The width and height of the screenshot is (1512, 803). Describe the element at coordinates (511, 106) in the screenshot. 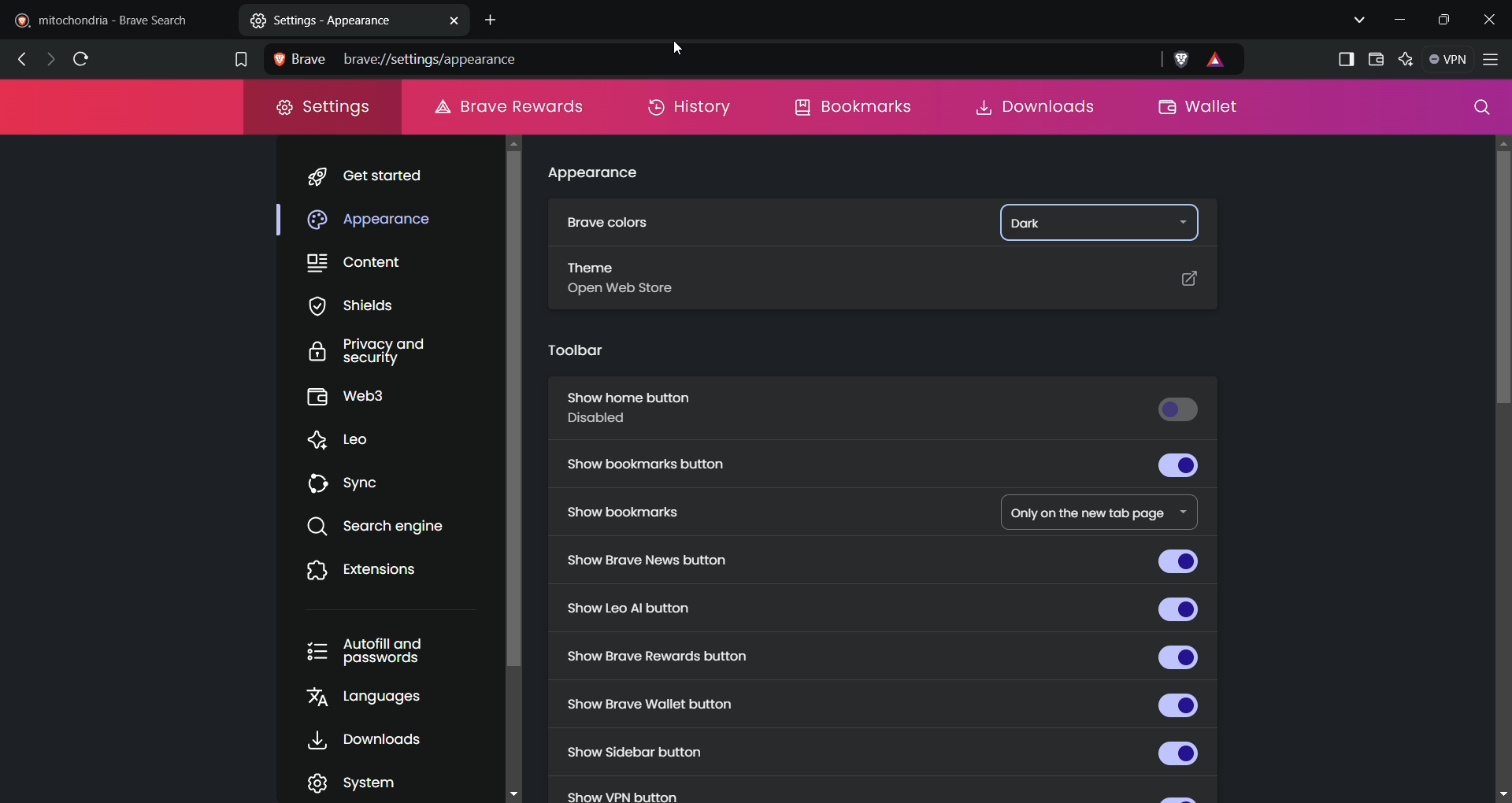

I see `brave rewards` at that location.